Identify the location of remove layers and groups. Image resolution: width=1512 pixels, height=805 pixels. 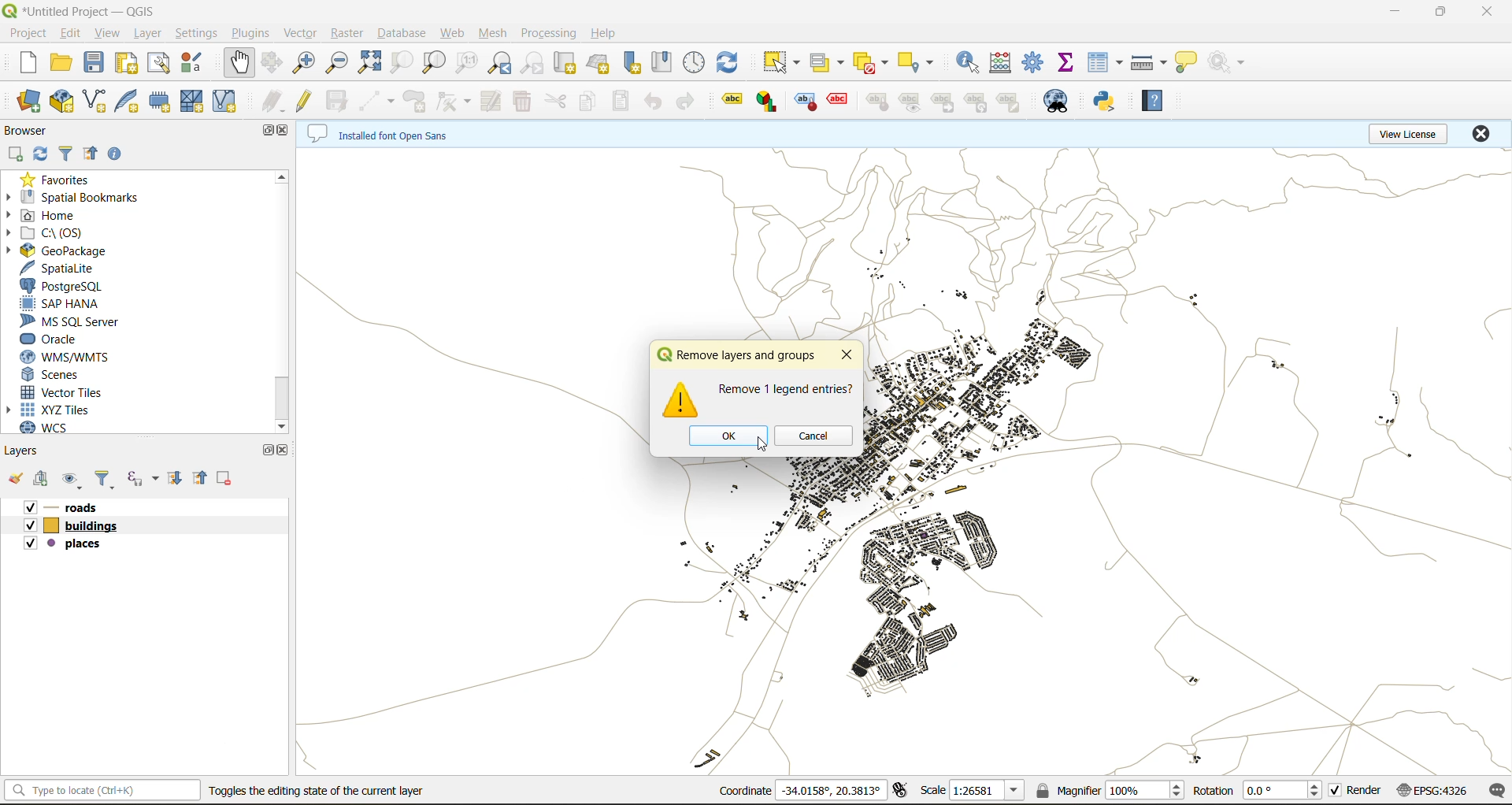
(737, 356).